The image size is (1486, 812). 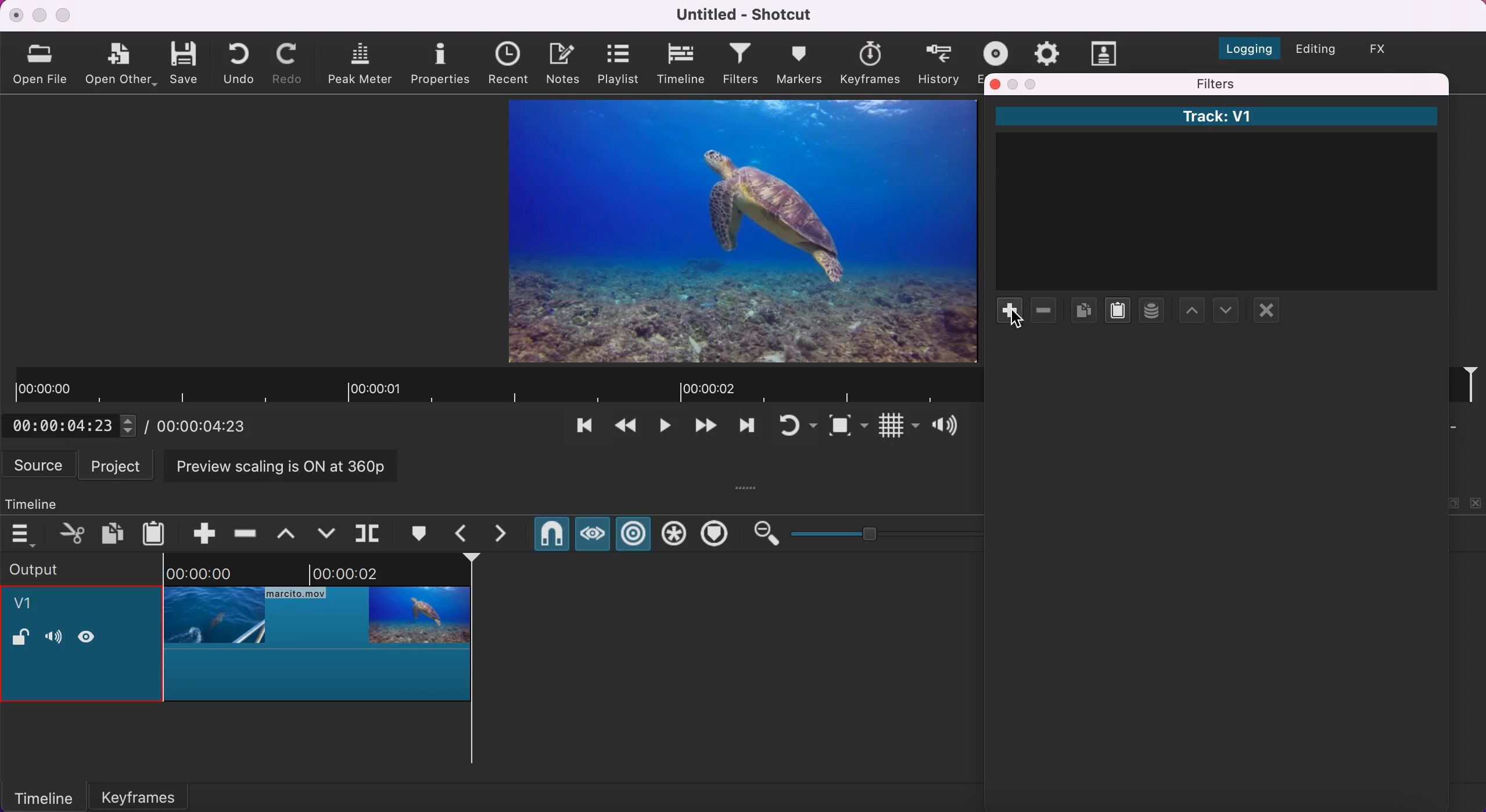 What do you see at coordinates (634, 535) in the screenshot?
I see `ripple` at bounding box center [634, 535].